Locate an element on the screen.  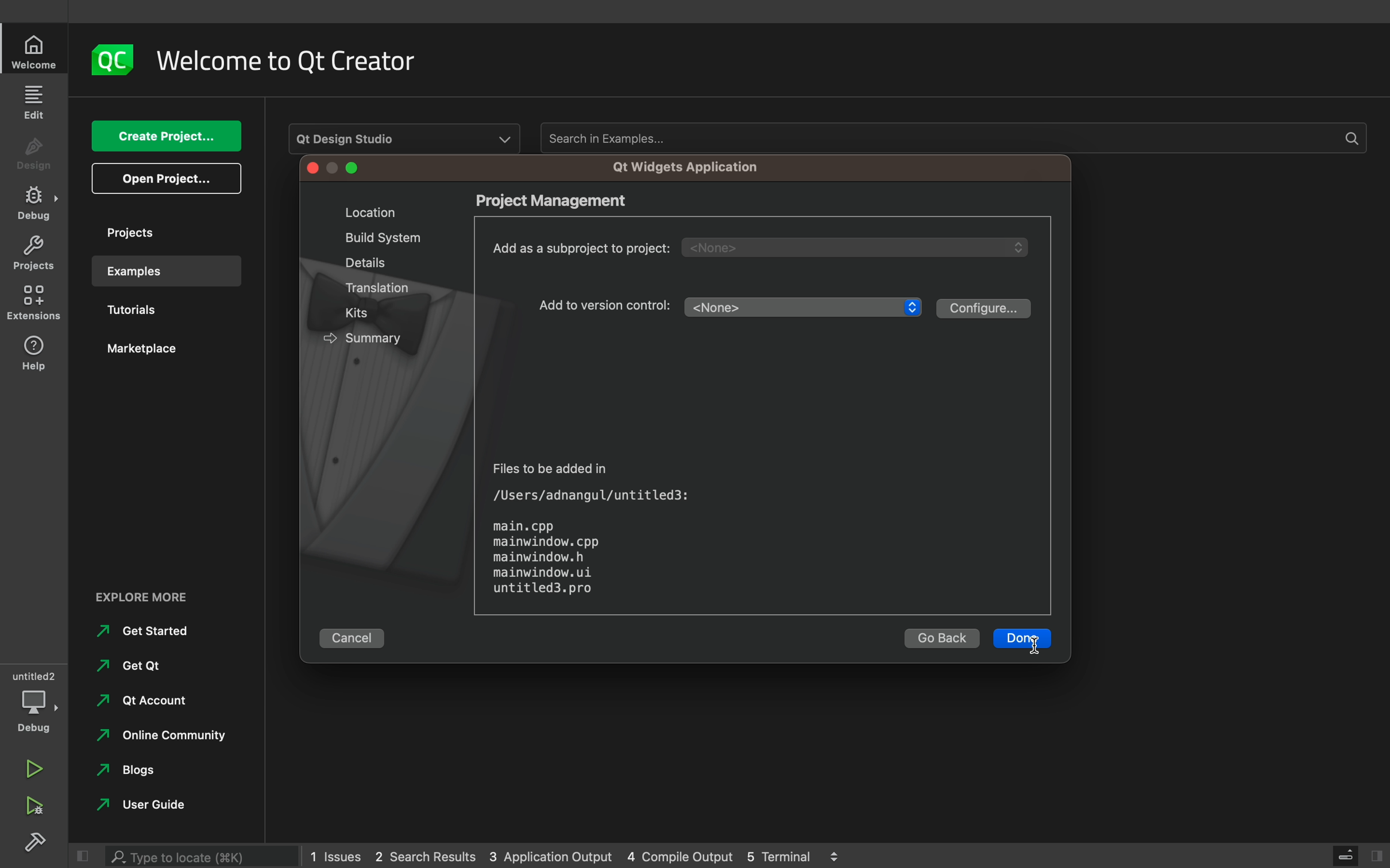
create is located at coordinates (165, 137).